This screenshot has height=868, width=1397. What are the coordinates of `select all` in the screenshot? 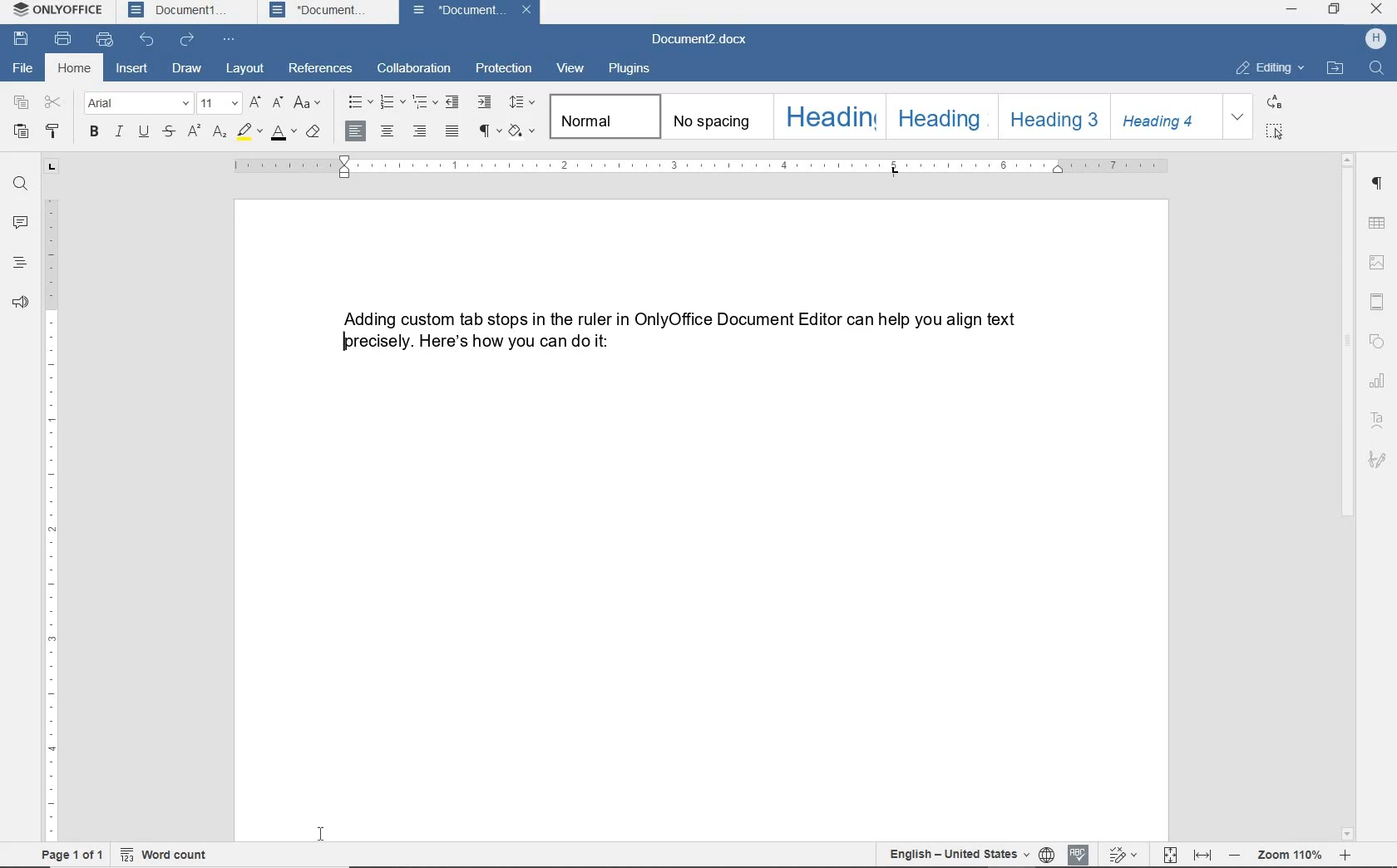 It's located at (1277, 133).